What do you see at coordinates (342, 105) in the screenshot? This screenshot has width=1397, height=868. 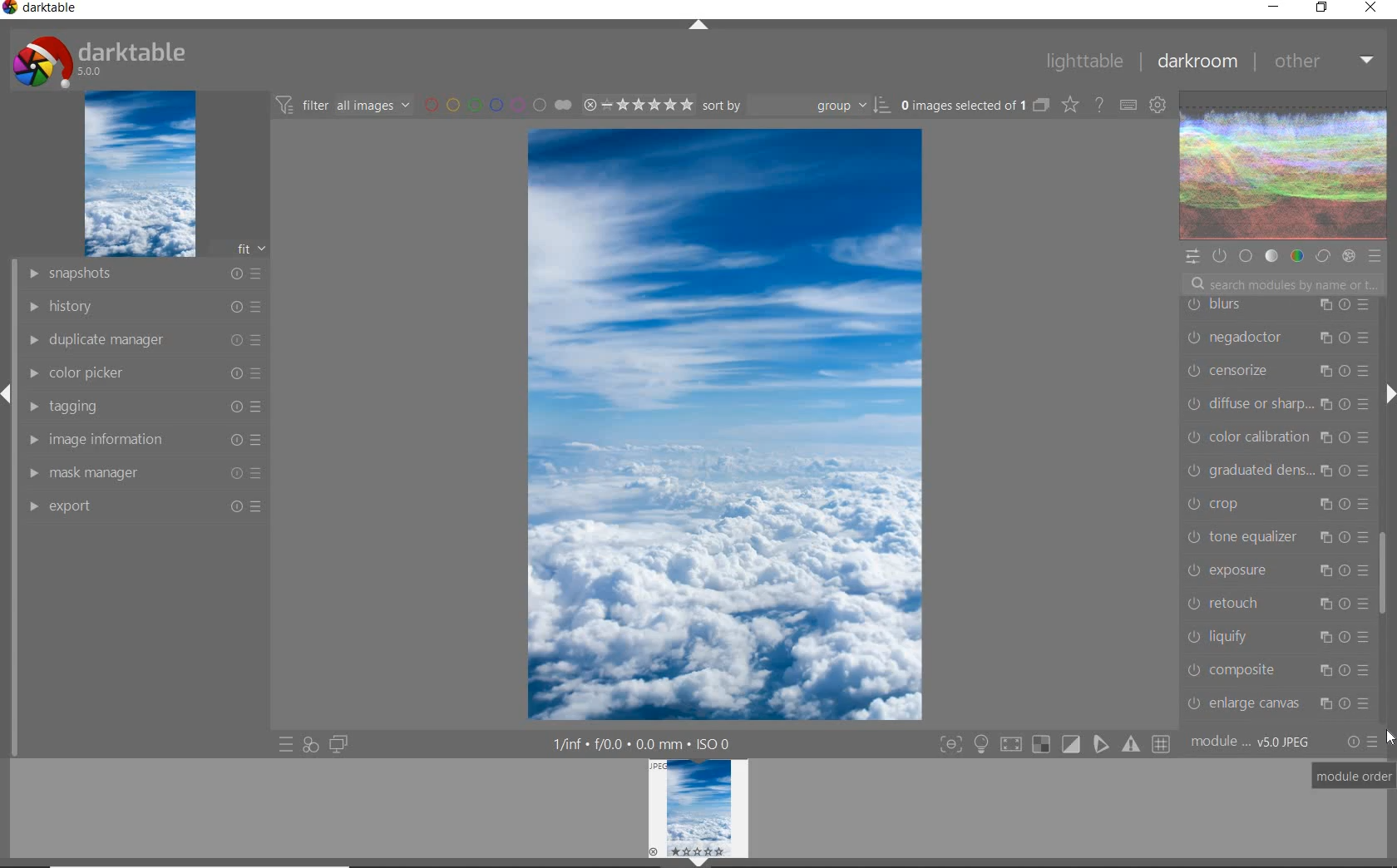 I see `FILTER ALL IMAGES` at bounding box center [342, 105].